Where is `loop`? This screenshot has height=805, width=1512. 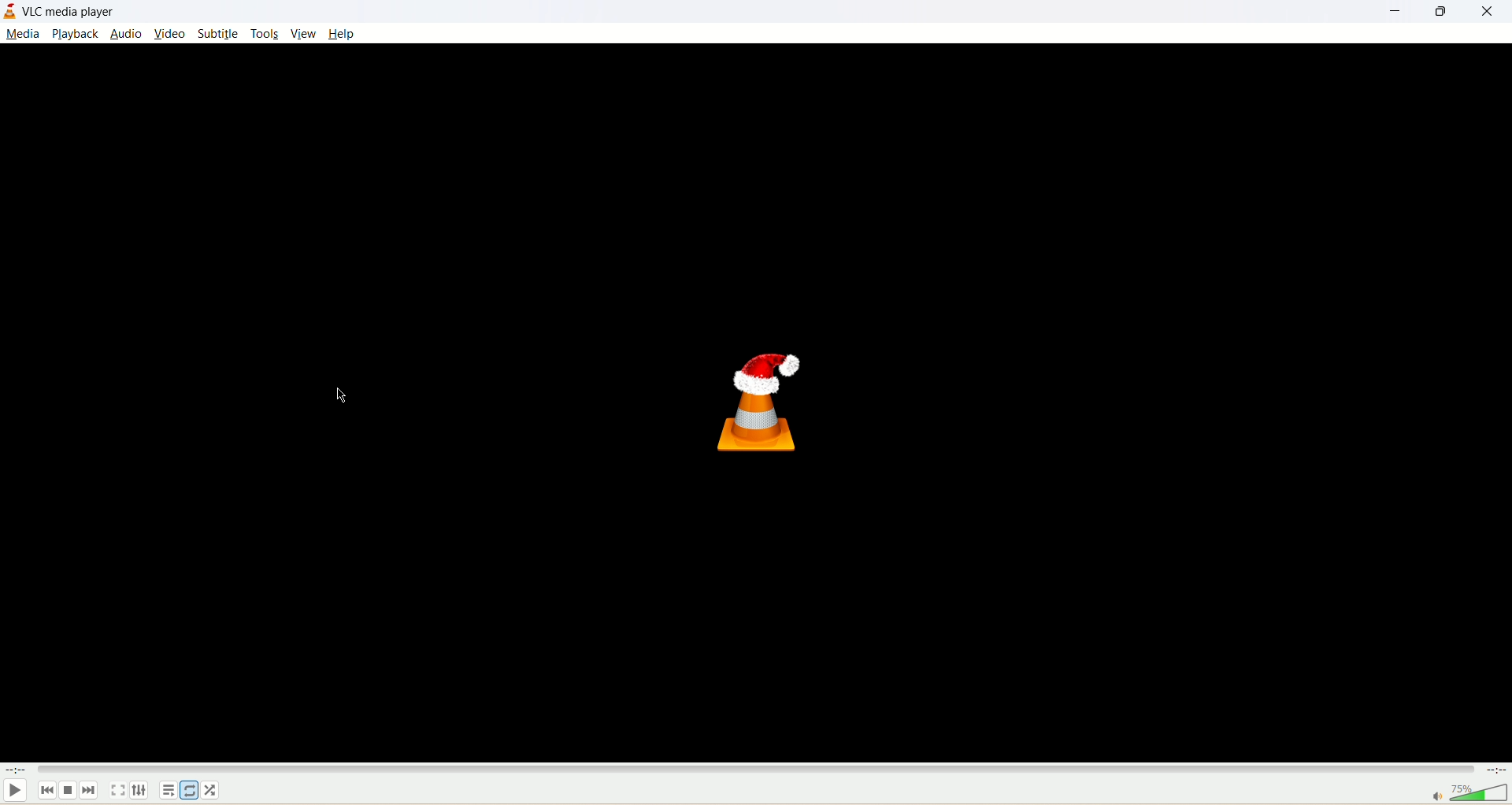
loop is located at coordinates (188, 789).